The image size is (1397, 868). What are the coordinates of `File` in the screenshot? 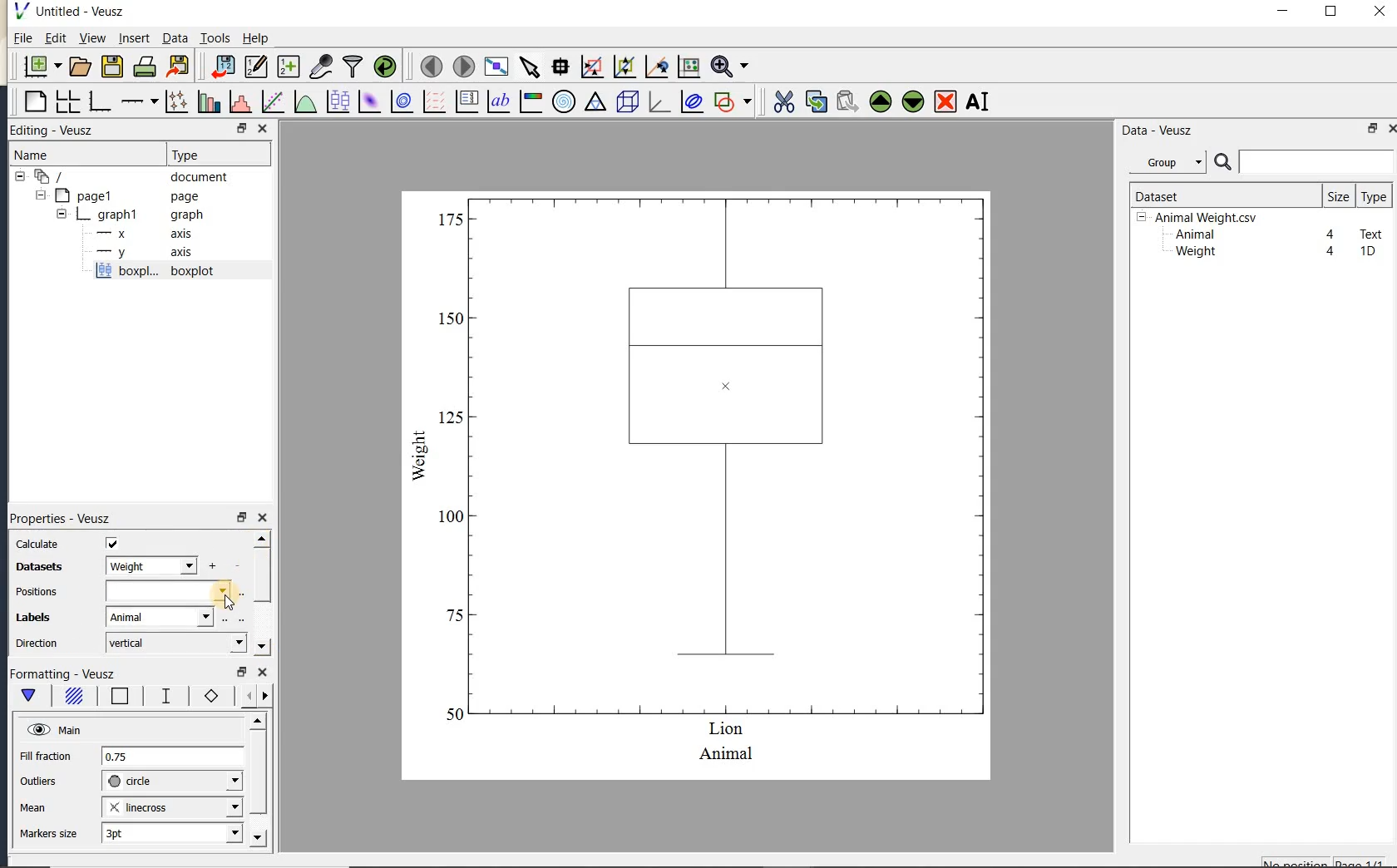 It's located at (23, 38).